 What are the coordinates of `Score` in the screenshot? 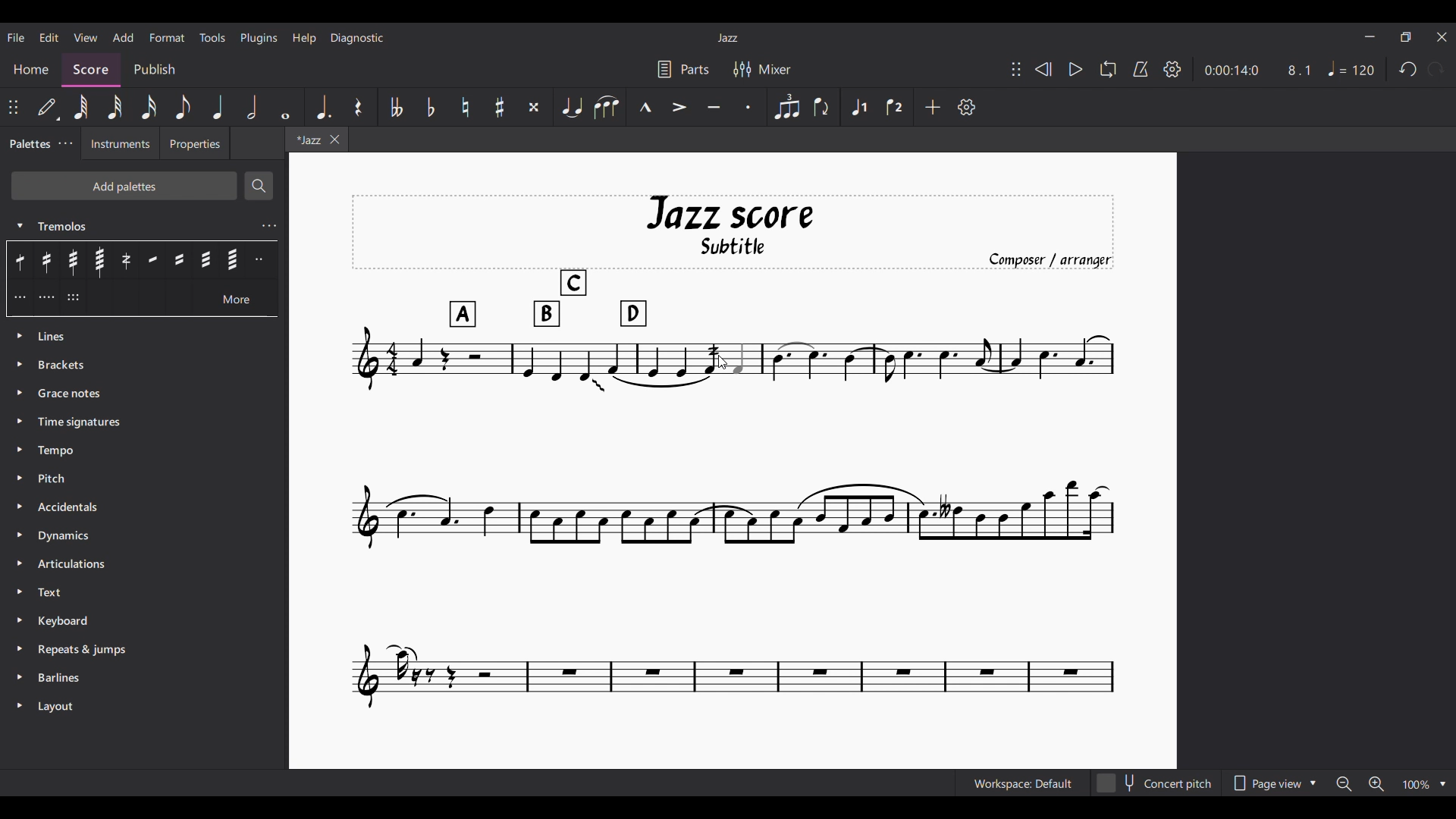 It's located at (91, 70).